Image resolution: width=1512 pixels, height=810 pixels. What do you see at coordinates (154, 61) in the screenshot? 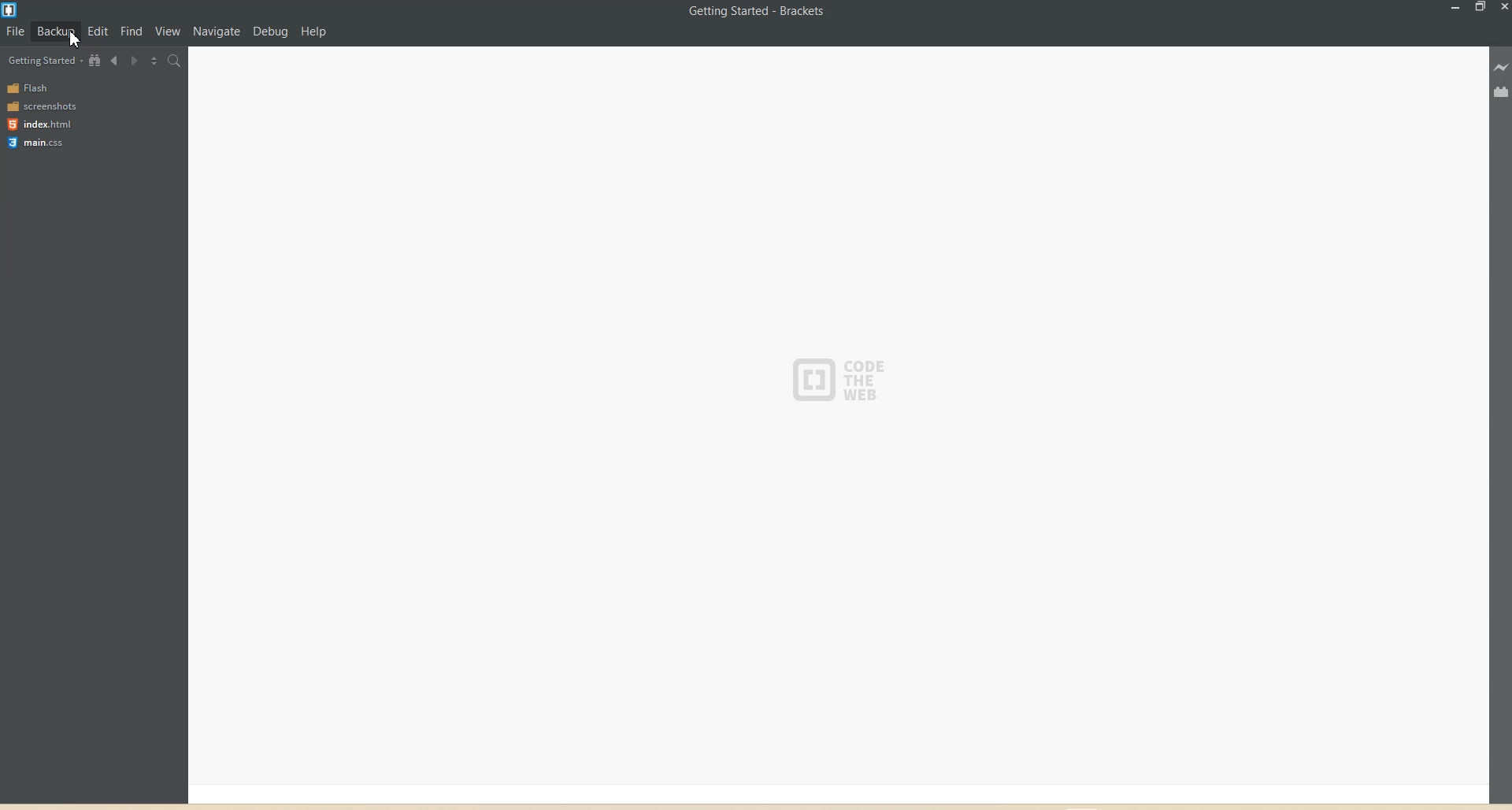
I see `Split The Editor vertically and Horizontally` at bounding box center [154, 61].